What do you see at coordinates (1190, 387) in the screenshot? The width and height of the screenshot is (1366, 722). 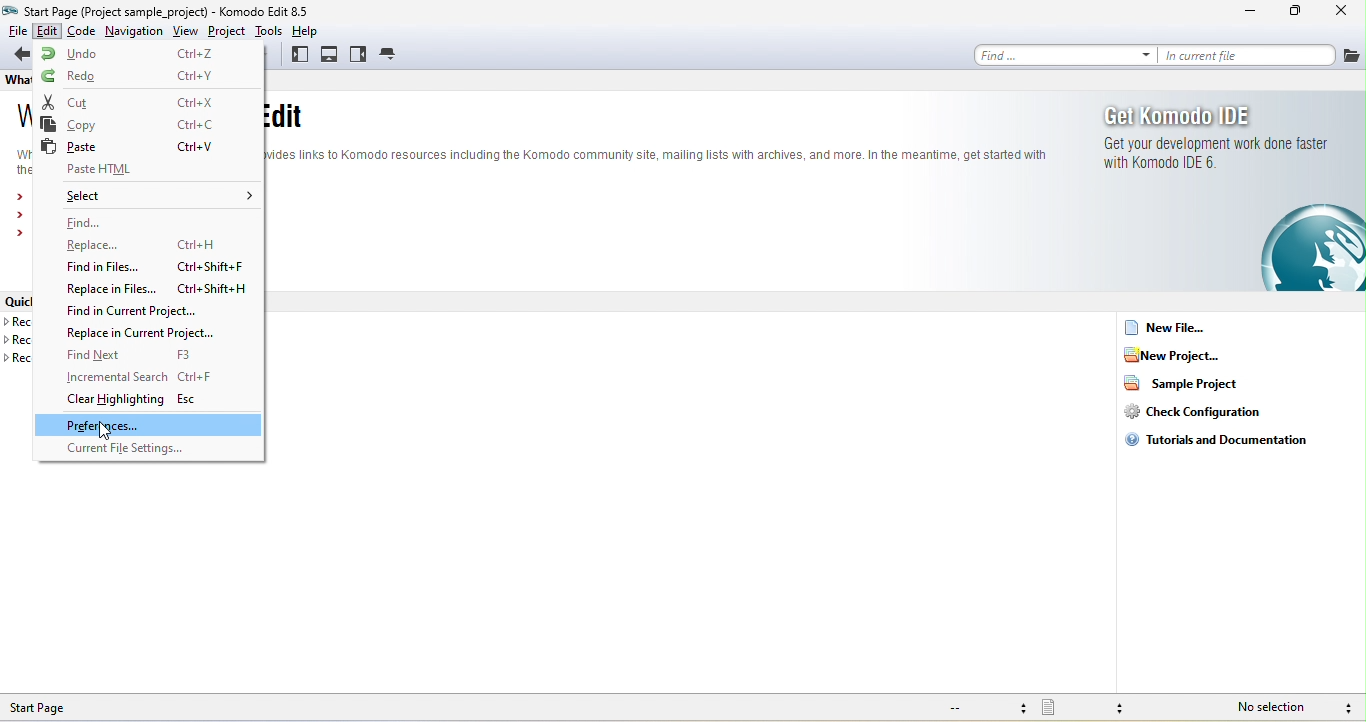 I see `sample project` at bounding box center [1190, 387].